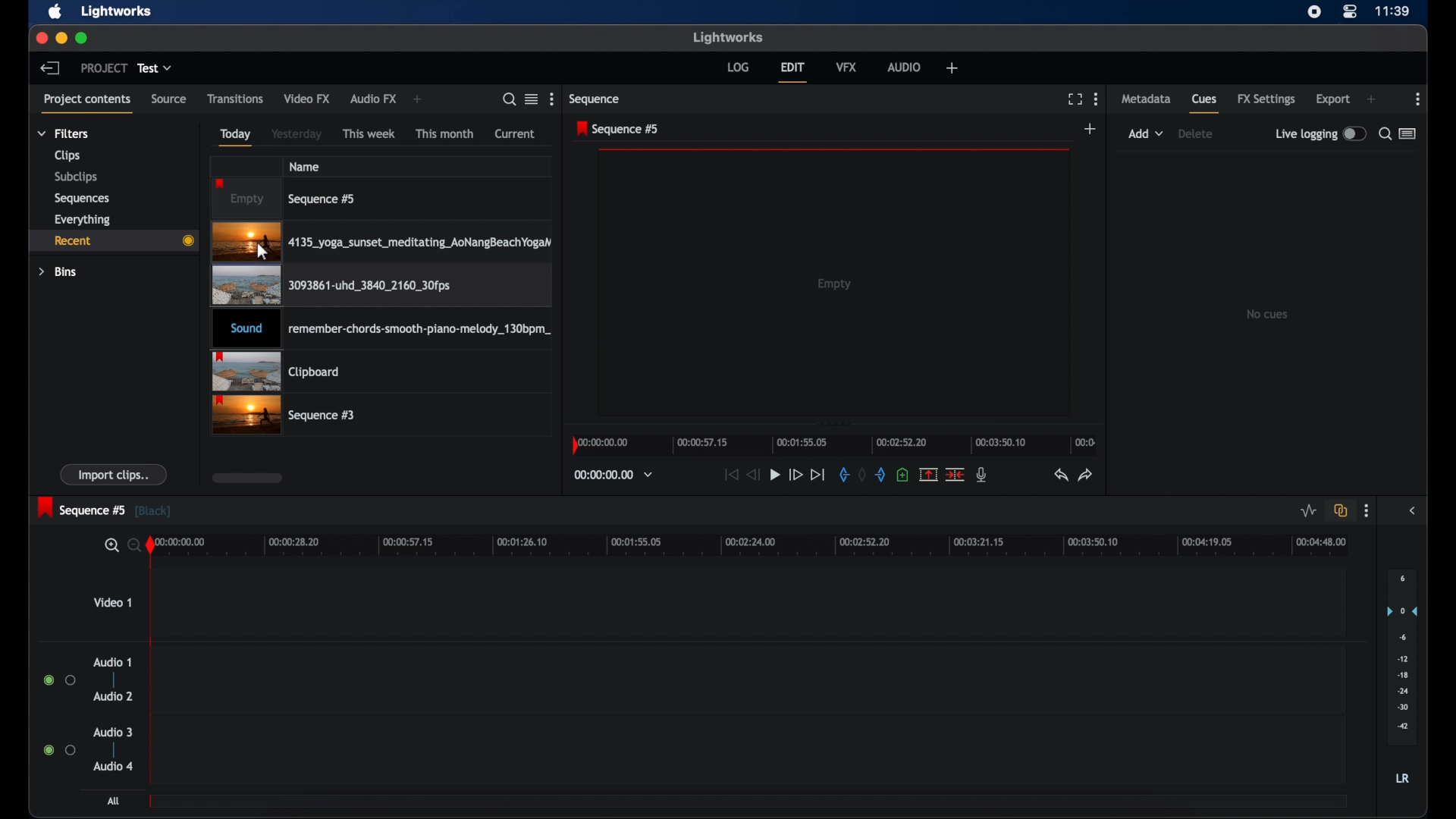 This screenshot has height=819, width=1456. I want to click on jump to start, so click(729, 474).